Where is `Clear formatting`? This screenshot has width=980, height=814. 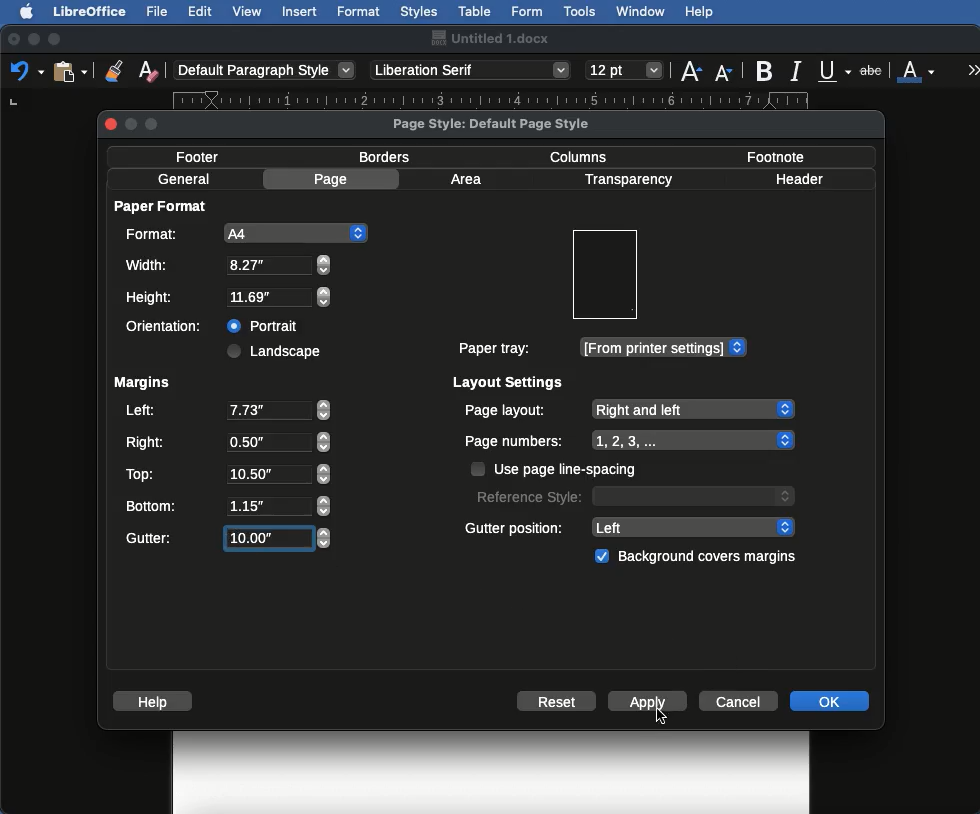
Clear formatting is located at coordinates (148, 69).